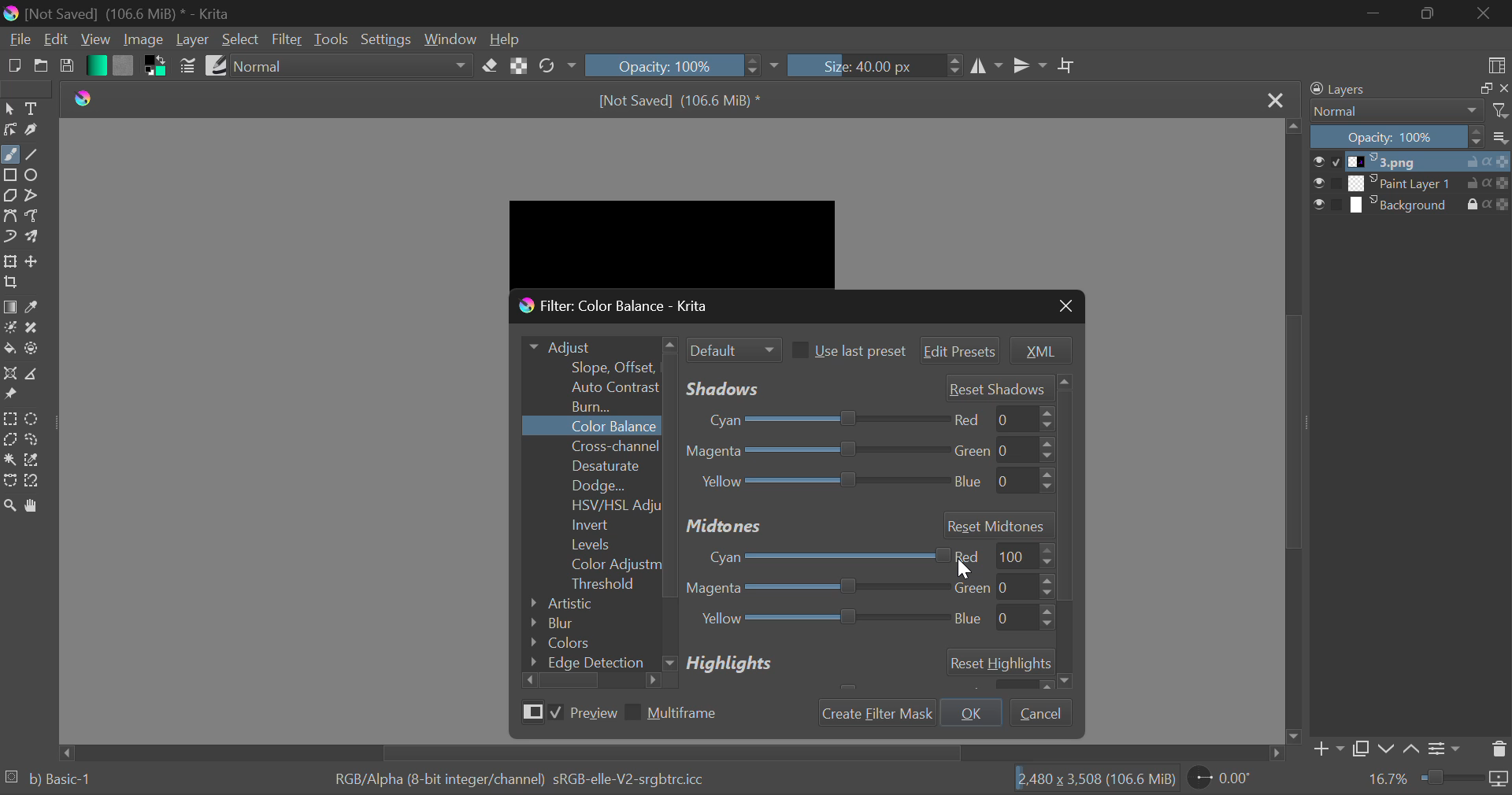 This screenshot has width=1512, height=795. I want to click on Desaturate, so click(590, 466).